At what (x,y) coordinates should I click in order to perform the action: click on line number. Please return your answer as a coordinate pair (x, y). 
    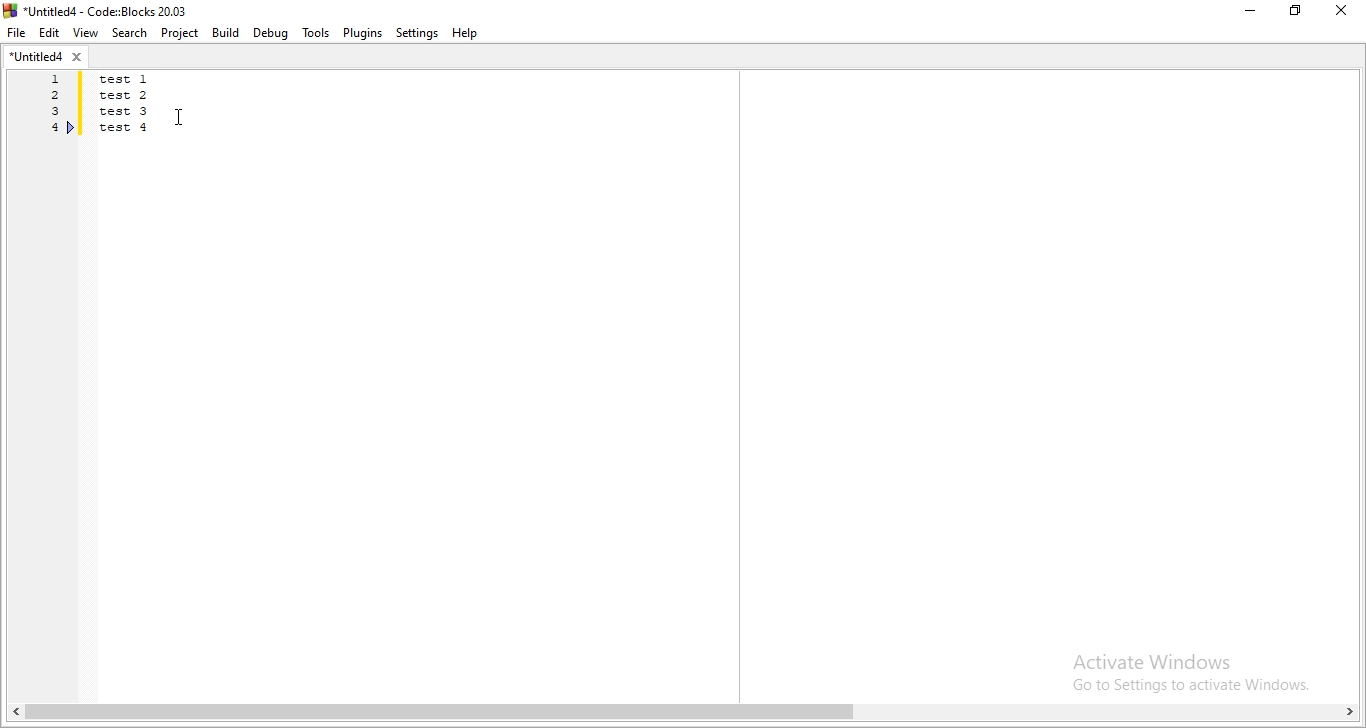
    Looking at the image, I should click on (50, 107).